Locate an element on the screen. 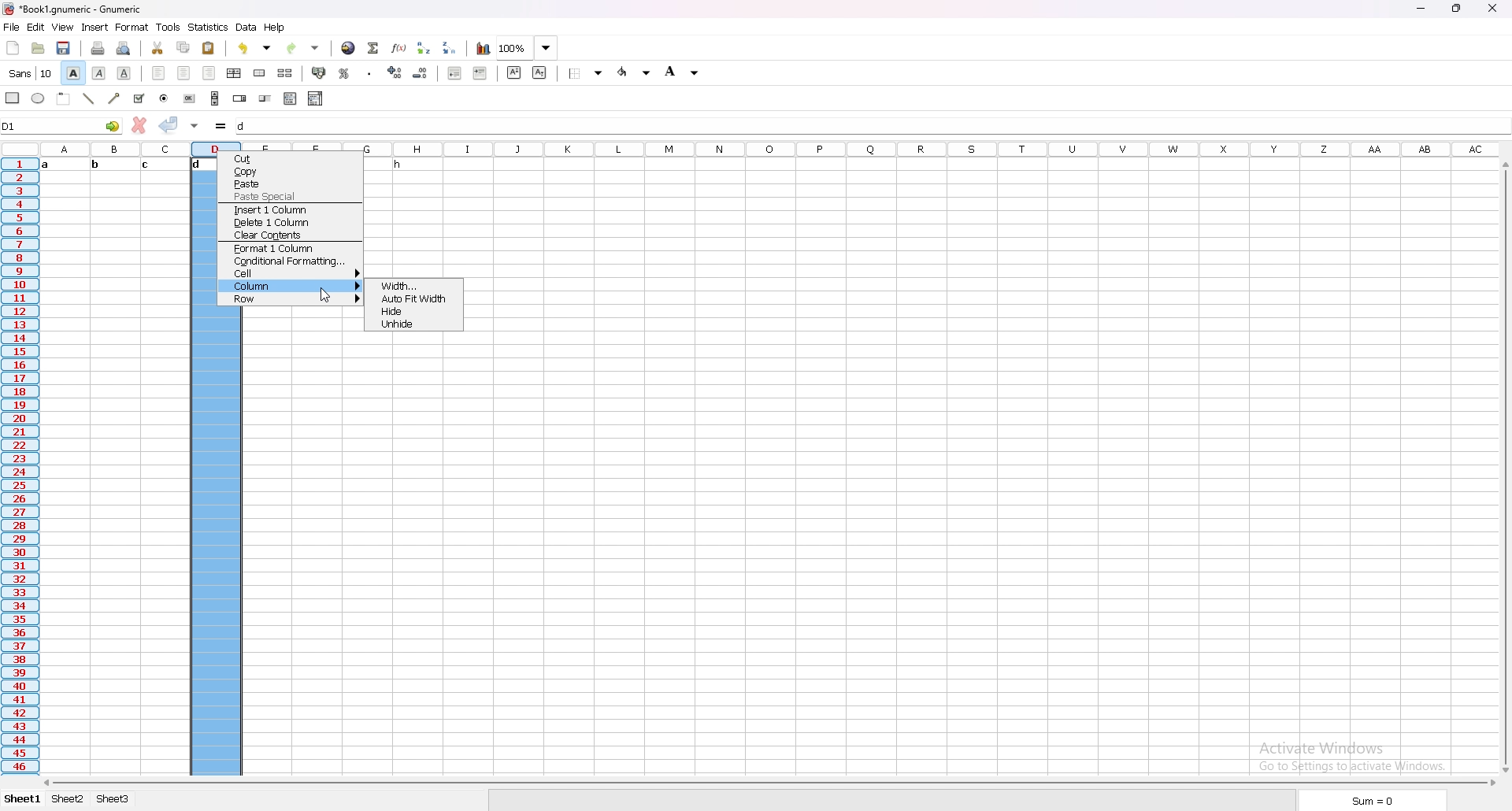 Image resolution: width=1512 pixels, height=811 pixels. paste is located at coordinates (209, 48).